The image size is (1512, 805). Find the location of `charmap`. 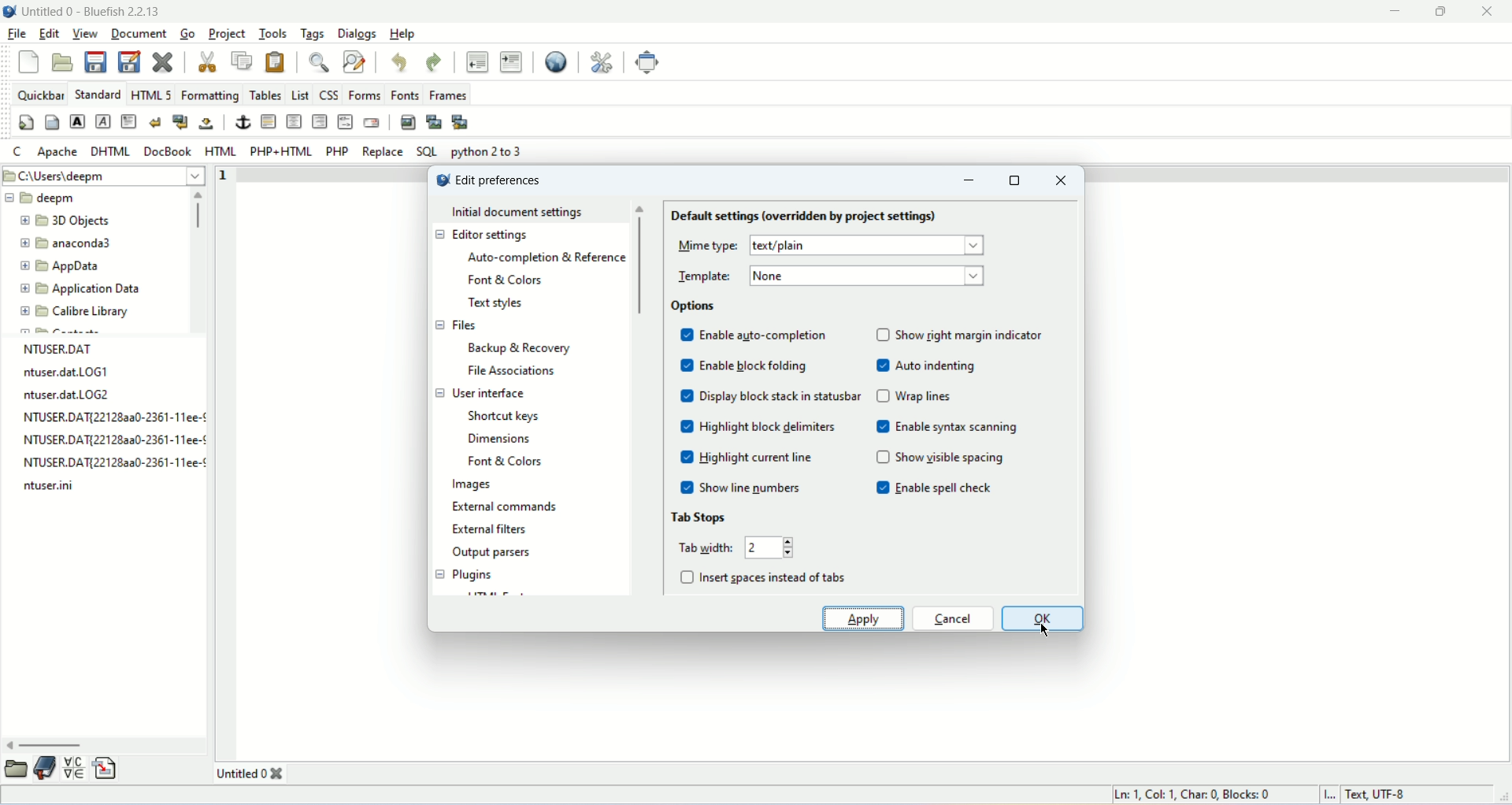

charmap is located at coordinates (73, 768).